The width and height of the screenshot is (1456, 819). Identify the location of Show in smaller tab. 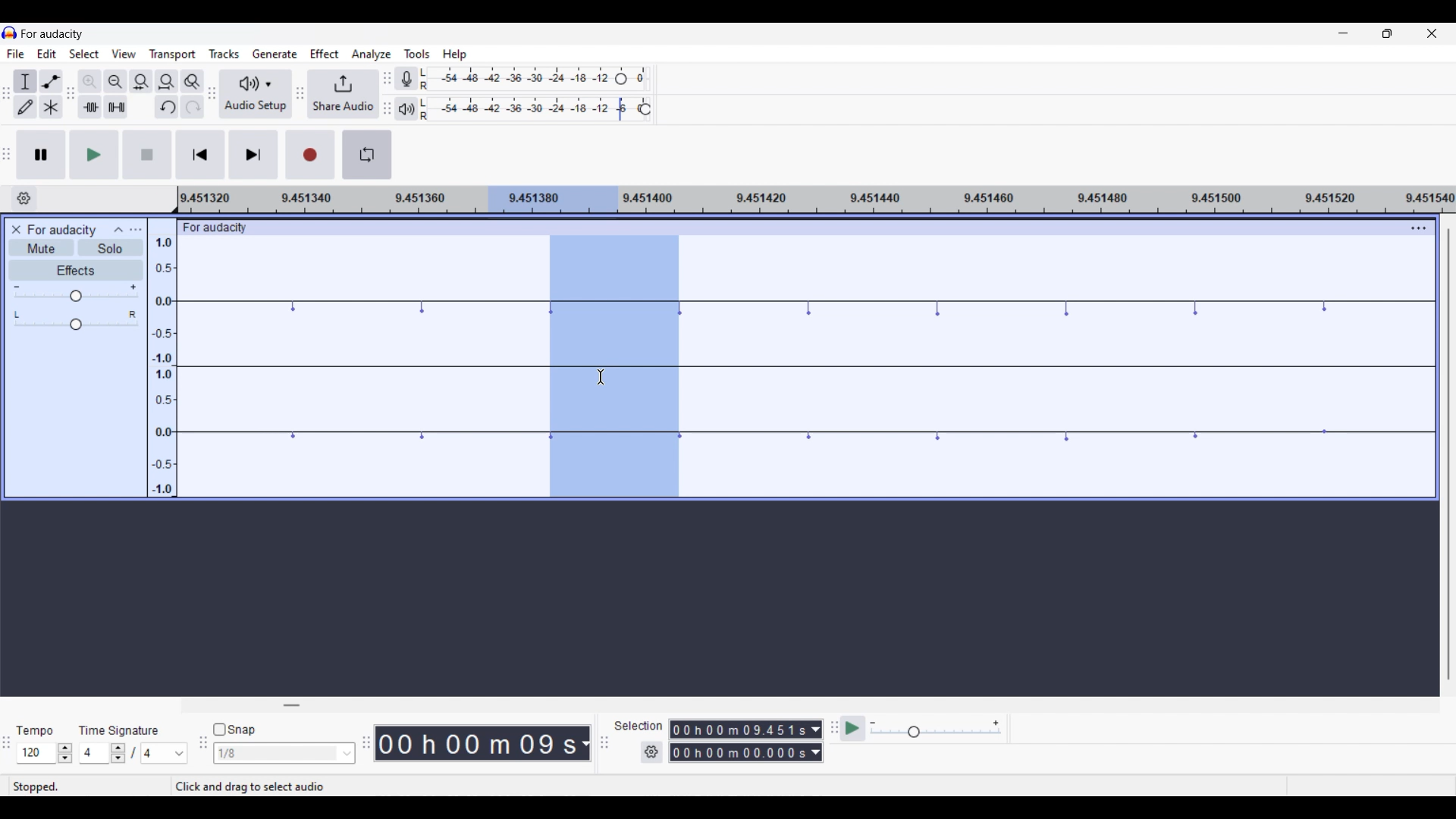
(1387, 33).